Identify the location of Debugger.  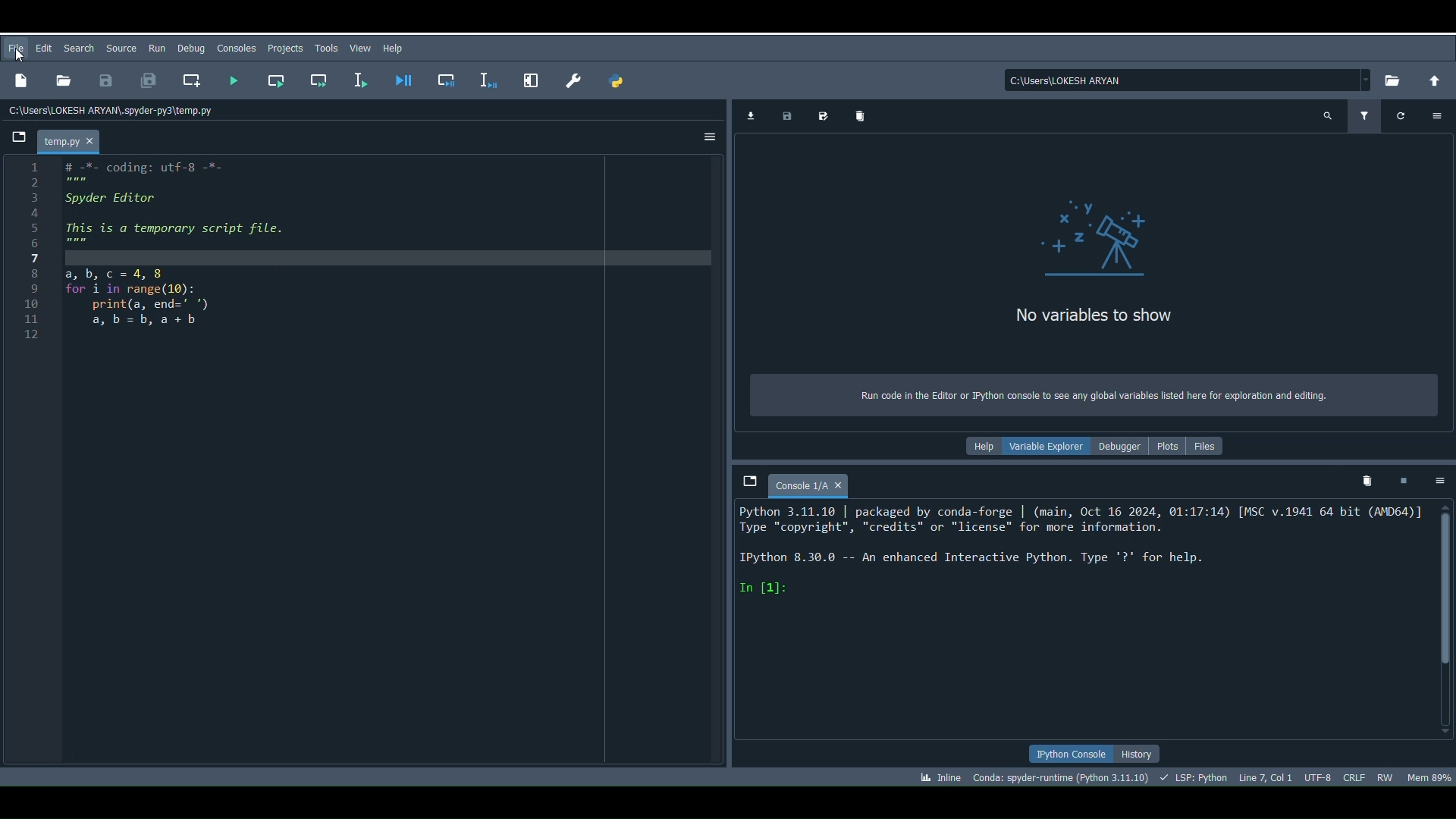
(1119, 447).